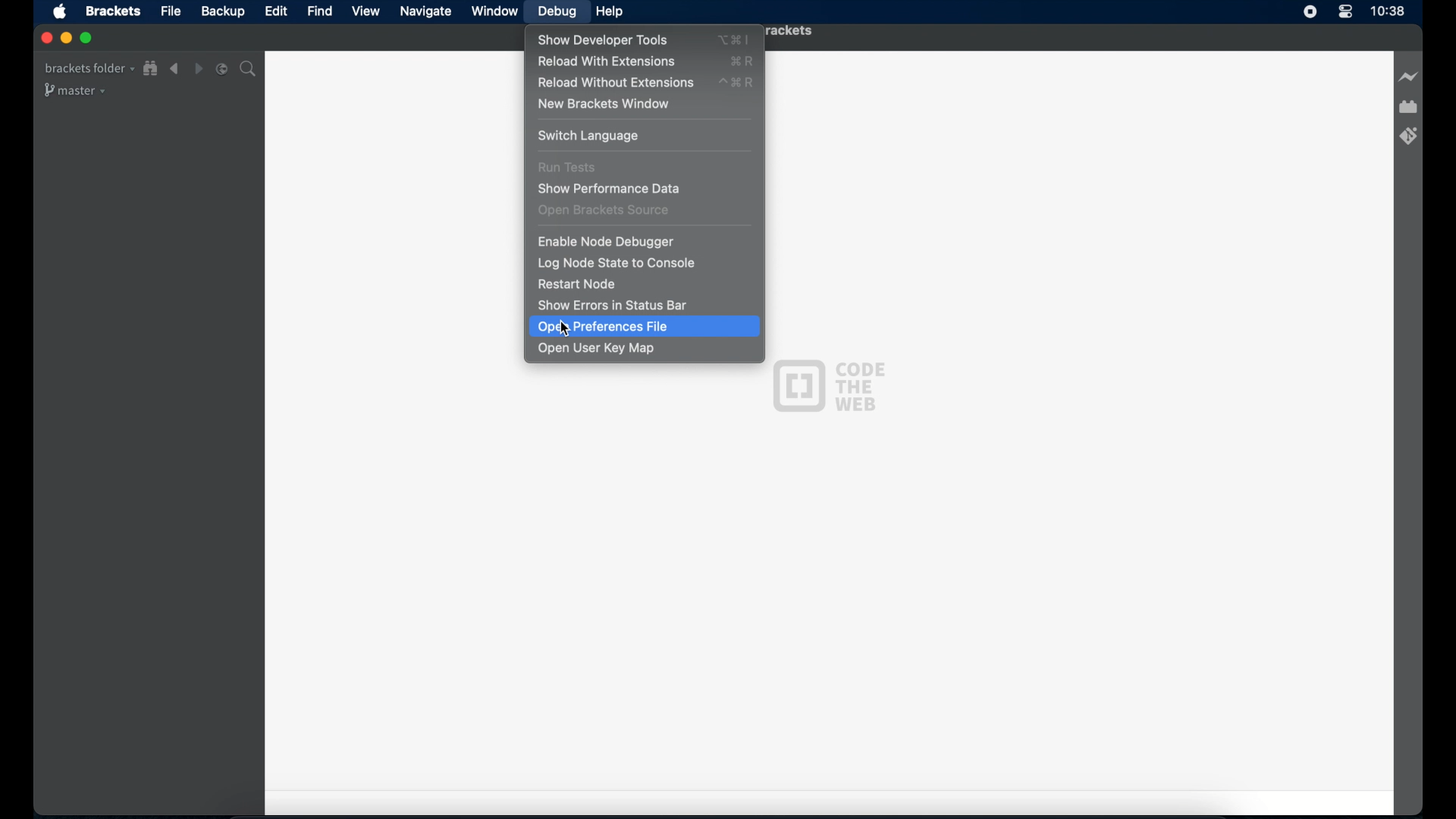 The height and width of the screenshot is (819, 1456). I want to click on file, so click(172, 12).